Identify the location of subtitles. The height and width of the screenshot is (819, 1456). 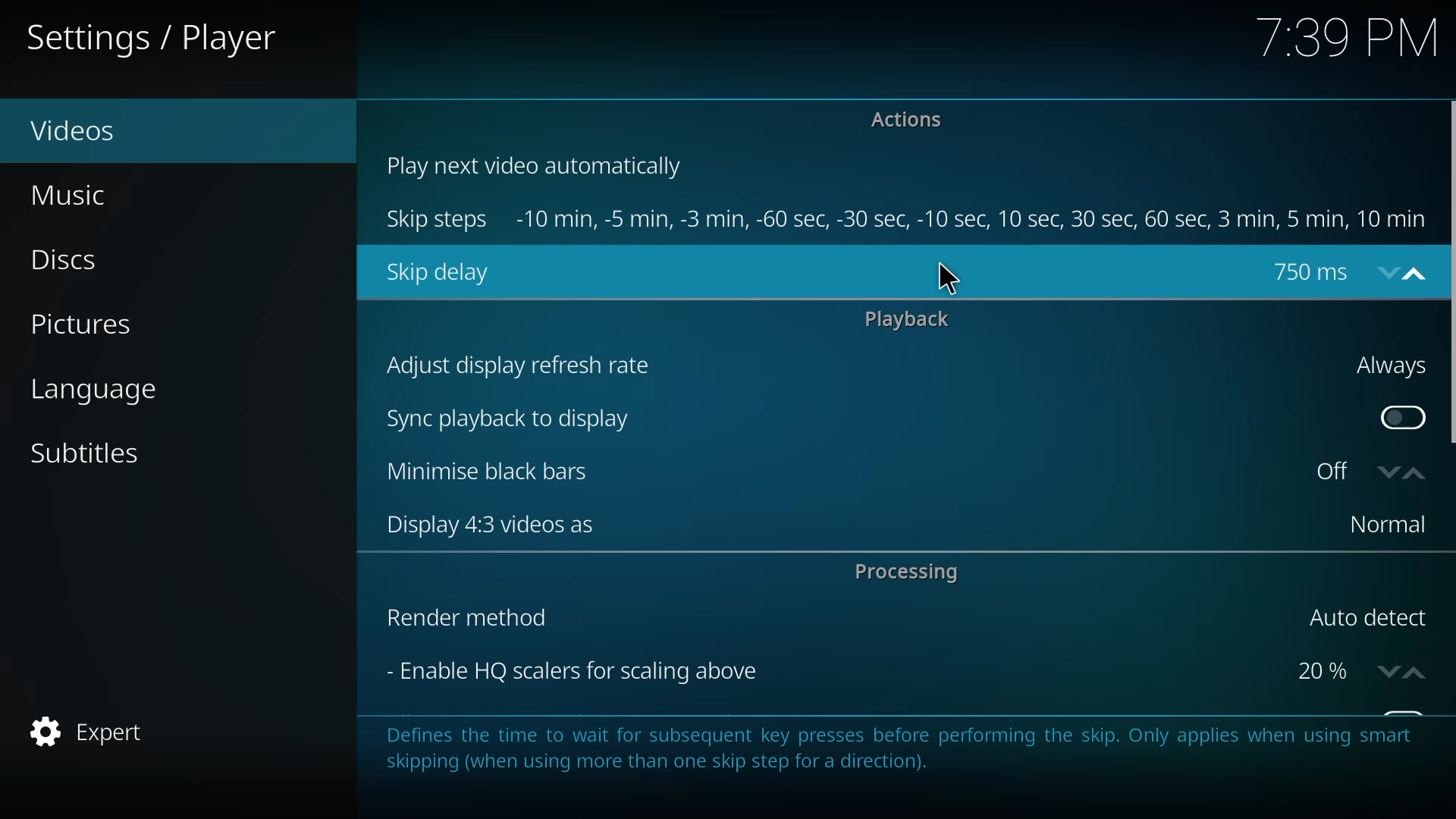
(91, 453).